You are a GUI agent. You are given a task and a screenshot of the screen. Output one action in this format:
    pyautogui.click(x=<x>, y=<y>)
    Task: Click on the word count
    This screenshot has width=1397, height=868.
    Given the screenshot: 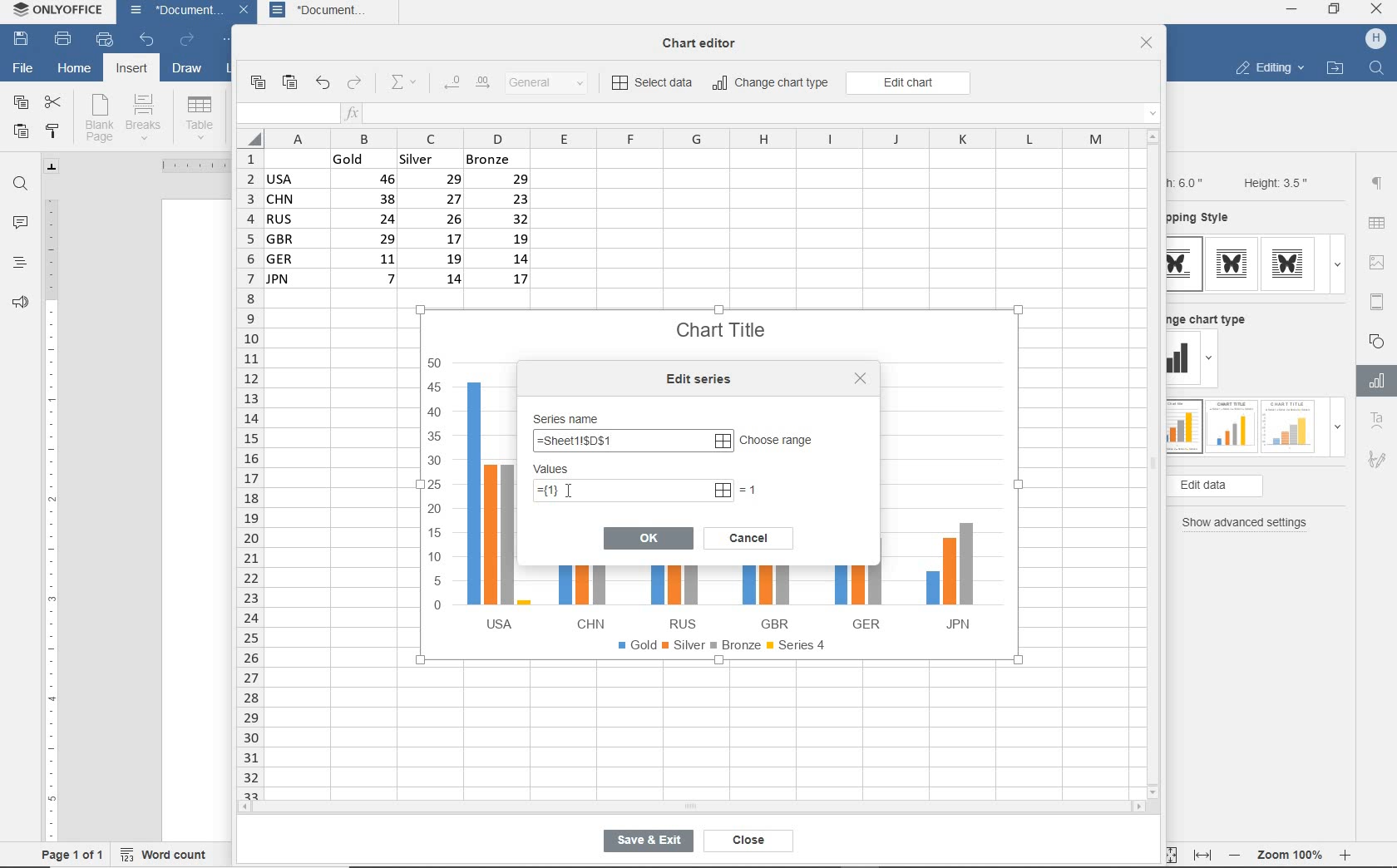 What is the action you would take?
    pyautogui.click(x=169, y=852)
    